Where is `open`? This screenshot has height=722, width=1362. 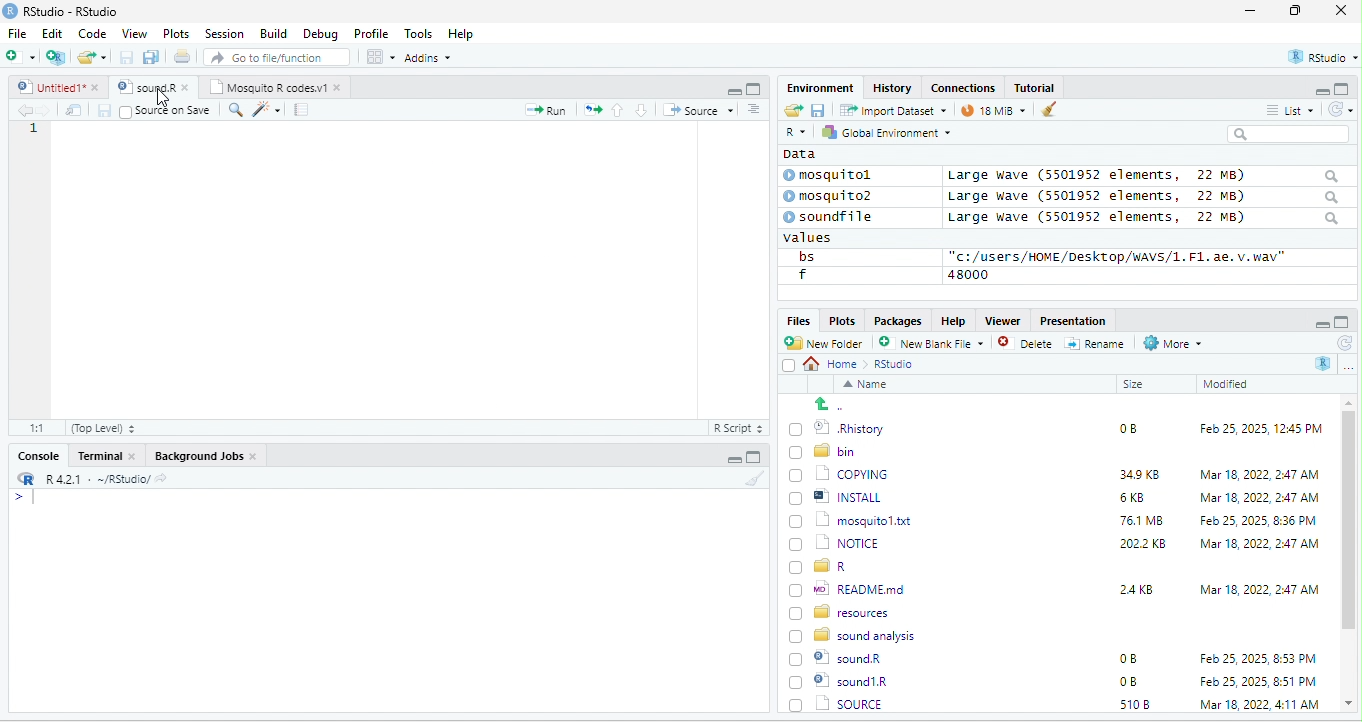 open is located at coordinates (184, 59).